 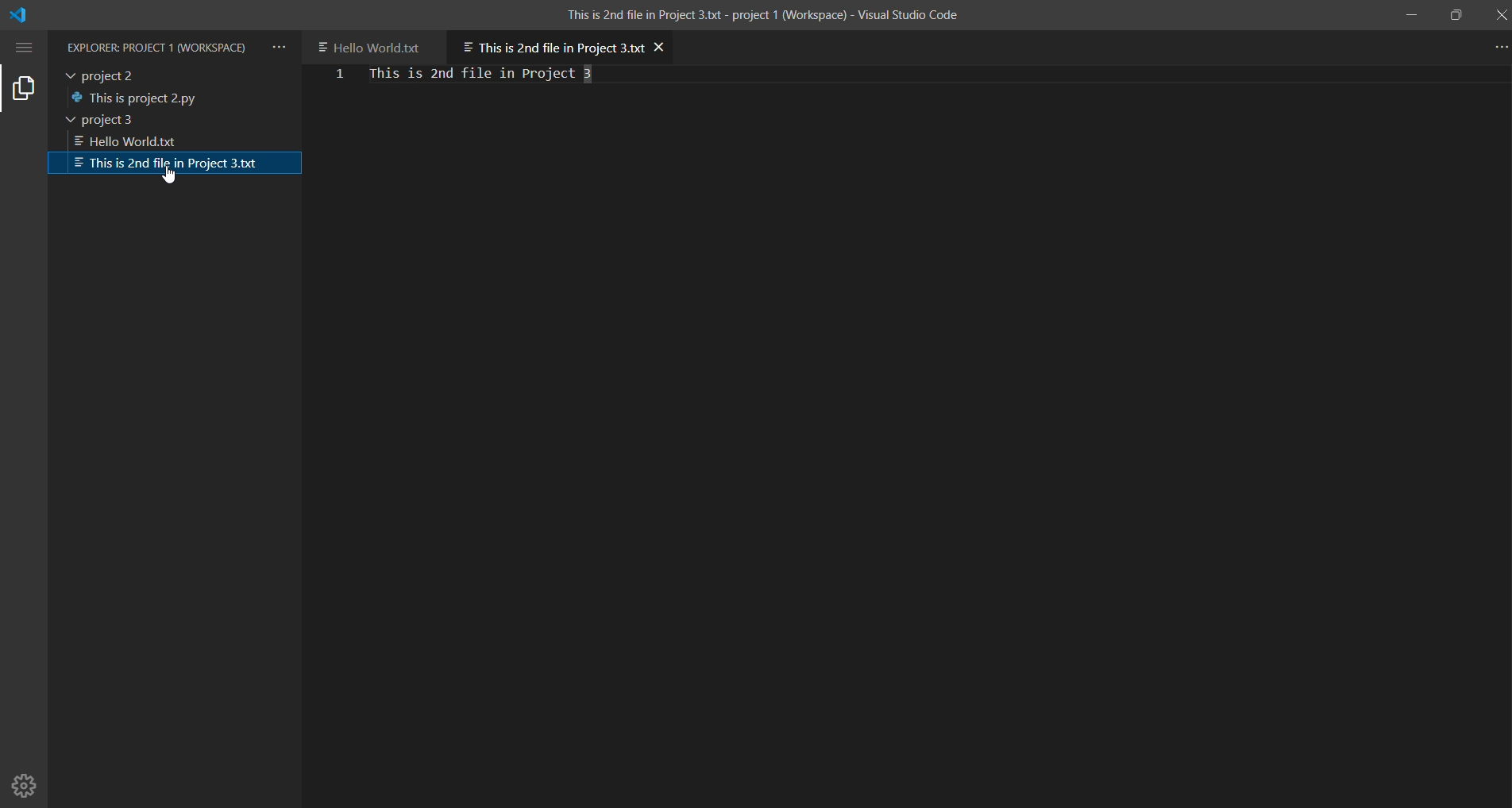 What do you see at coordinates (340, 76) in the screenshot?
I see `first line` at bounding box center [340, 76].